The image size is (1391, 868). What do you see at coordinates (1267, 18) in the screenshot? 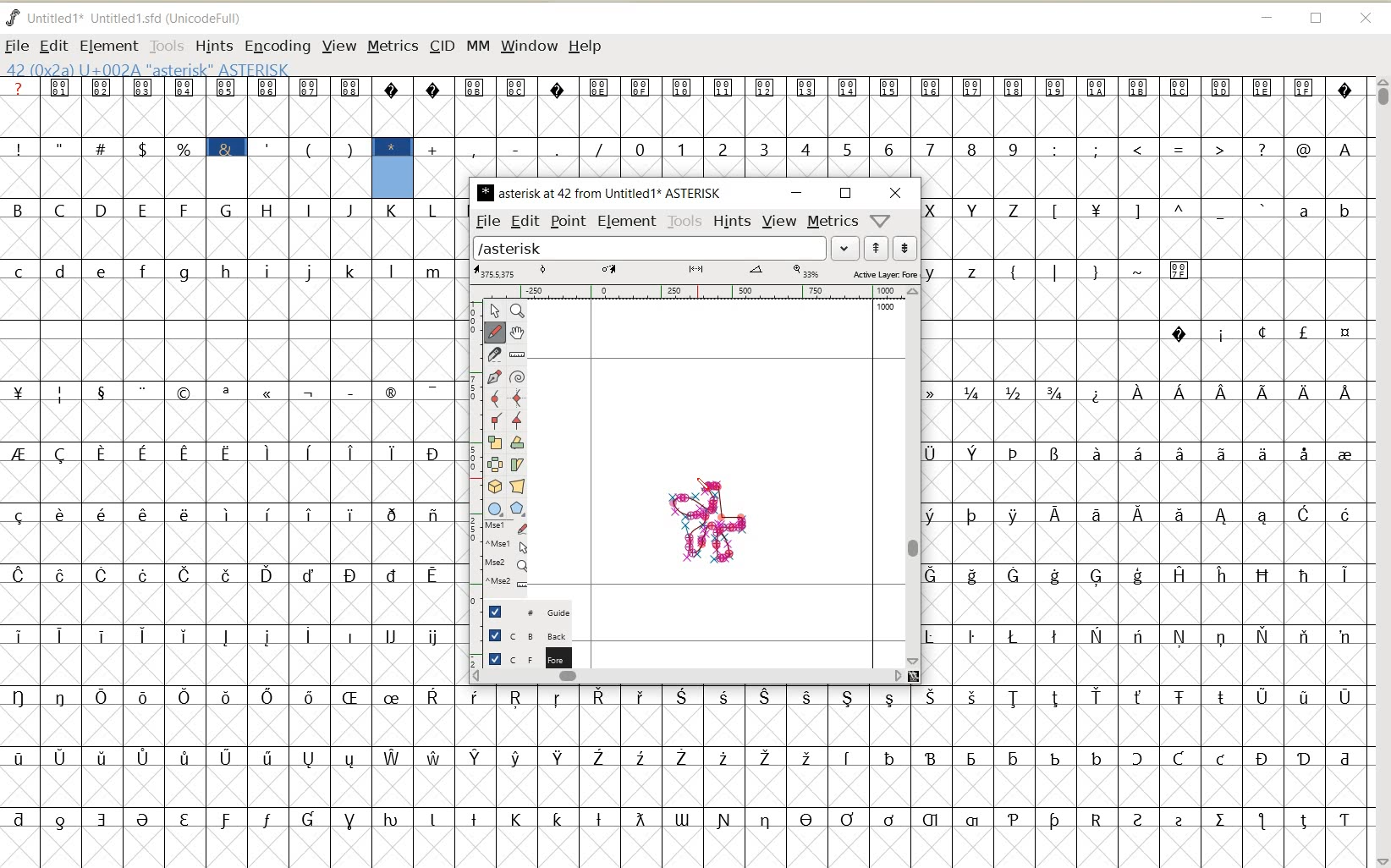
I see `MINIMIZE` at bounding box center [1267, 18].